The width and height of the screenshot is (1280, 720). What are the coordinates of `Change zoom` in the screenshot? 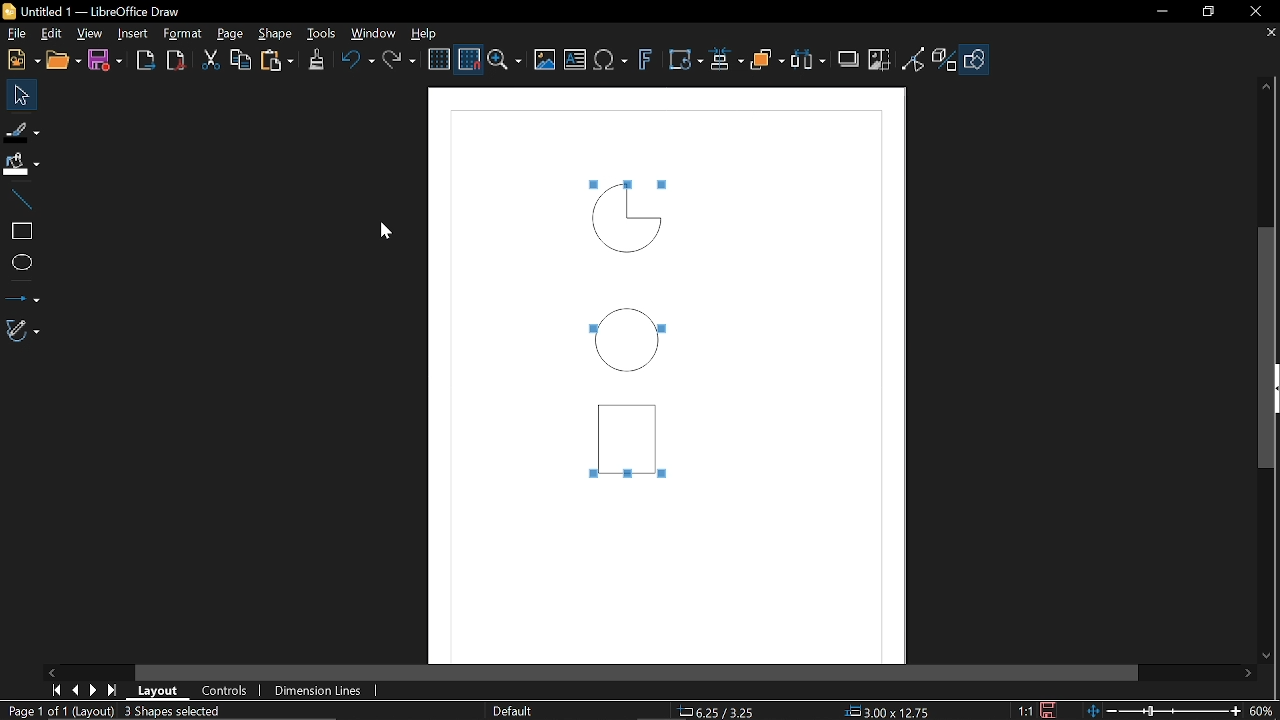 It's located at (1162, 712).